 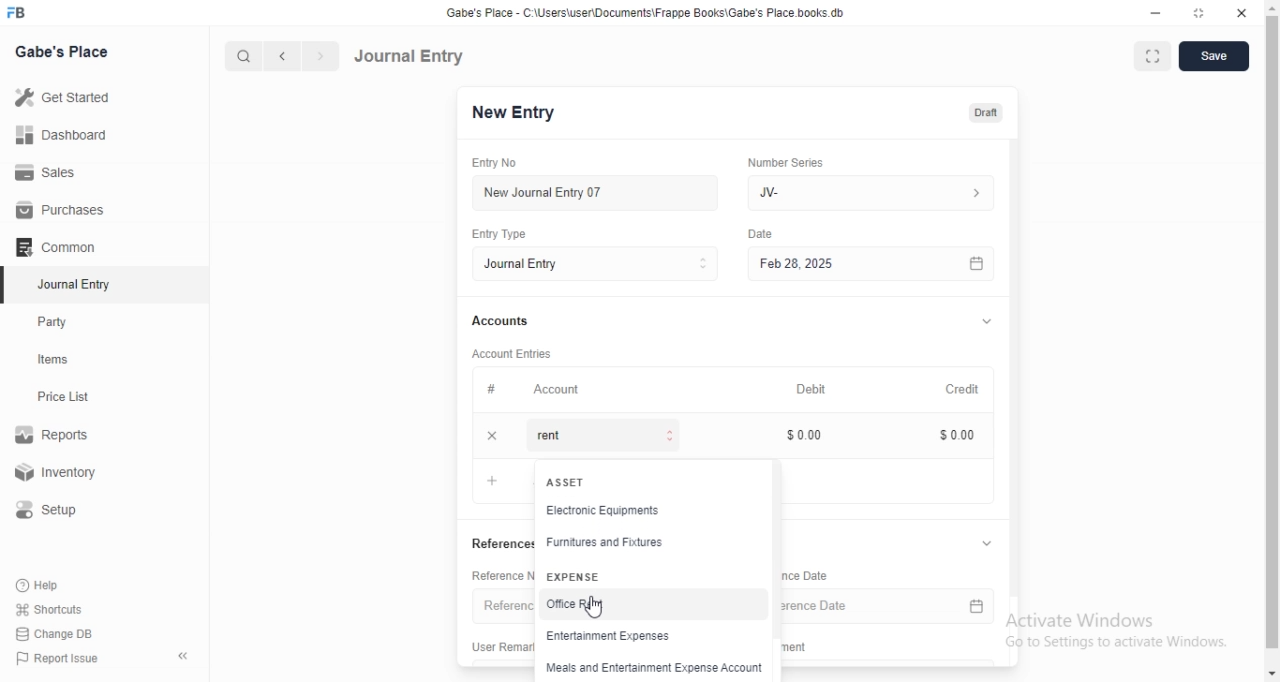 What do you see at coordinates (653, 12) in the screenshot?
I see `‘Gabe's Place - C\UsersiuserDocuments\Frappe Books\Gabe's Place books db` at bounding box center [653, 12].